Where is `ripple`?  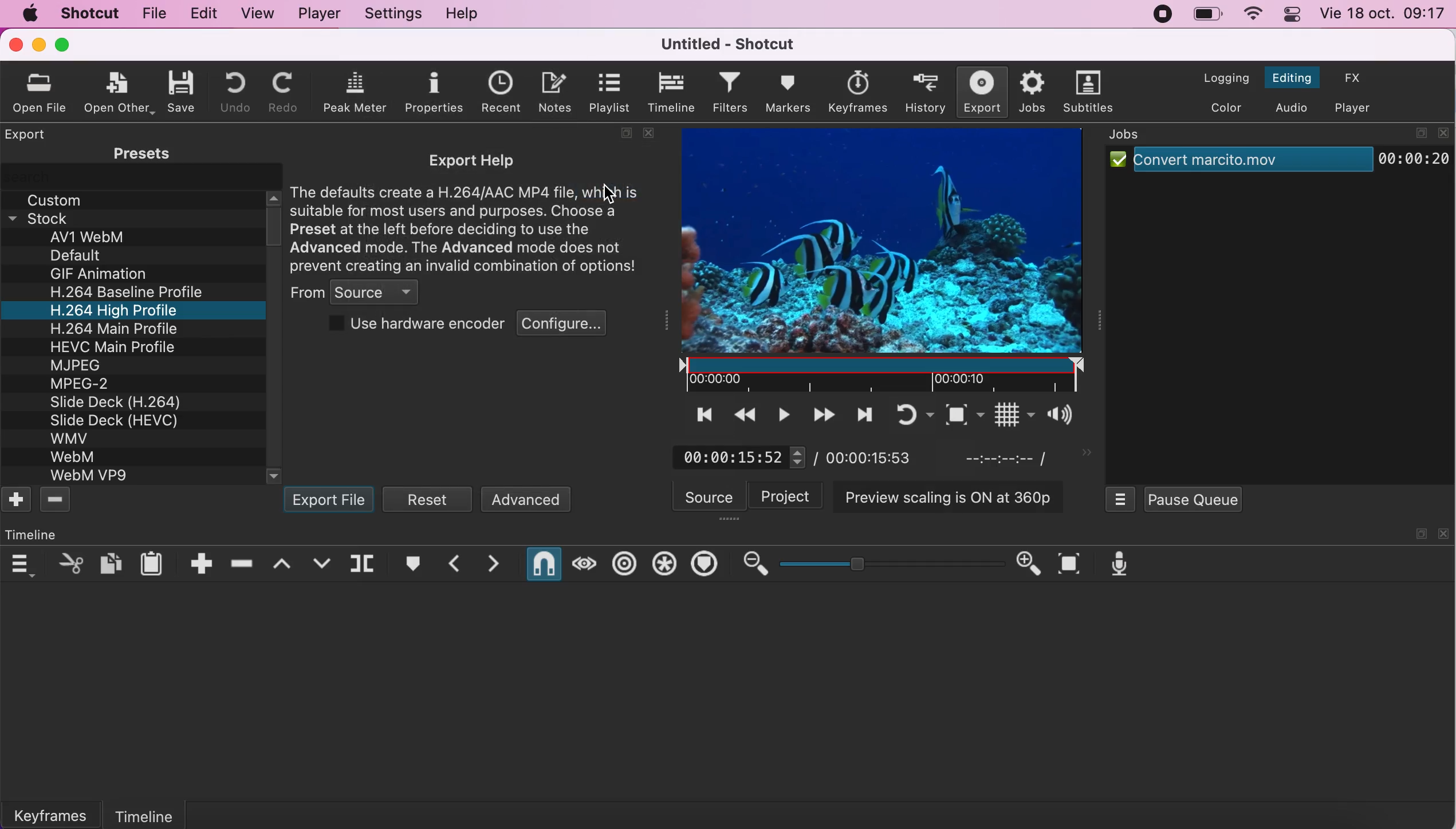 ripple is located at coordinates (625, 564).